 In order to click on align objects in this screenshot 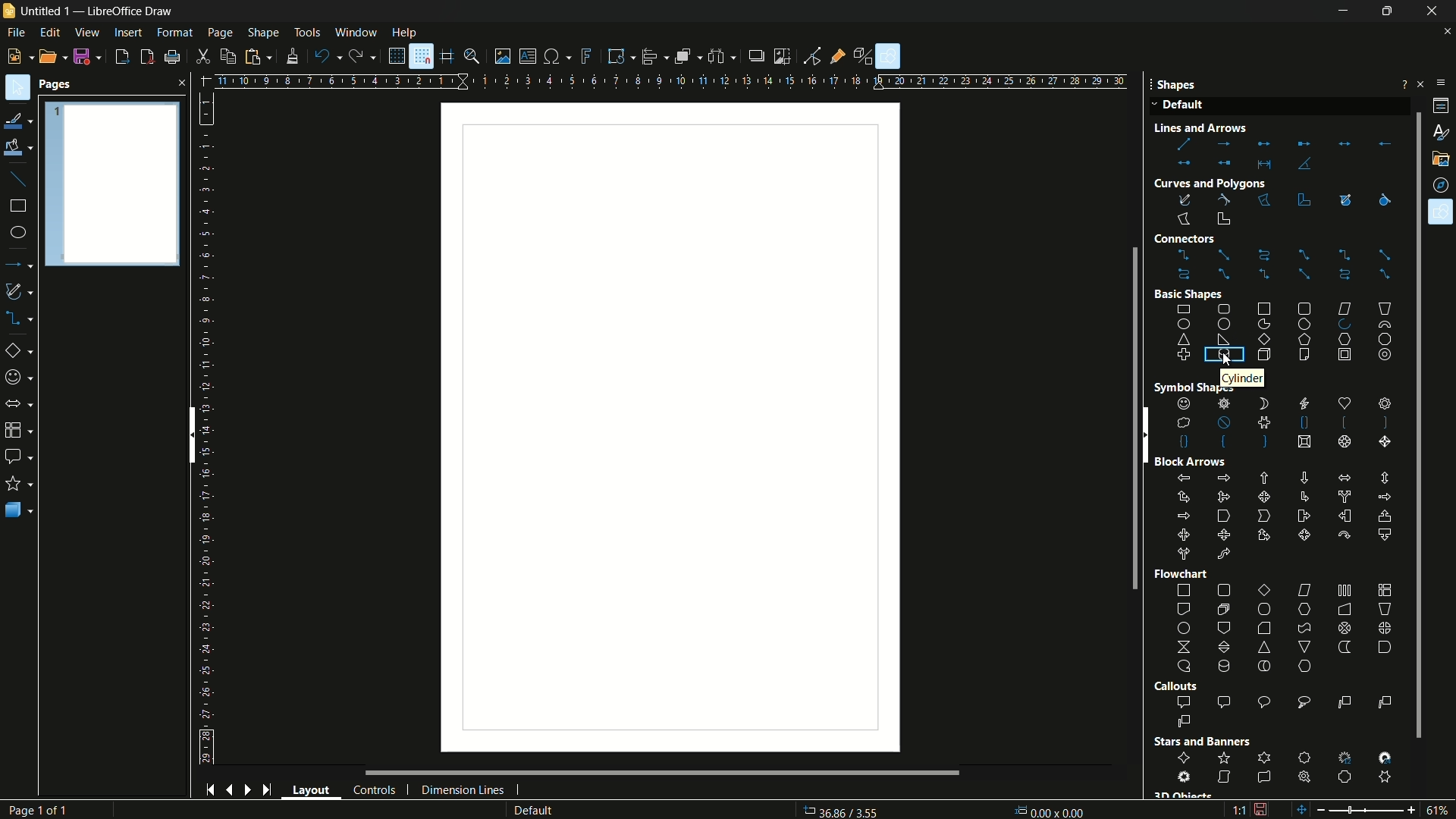, I will do `click(655, 55)`.